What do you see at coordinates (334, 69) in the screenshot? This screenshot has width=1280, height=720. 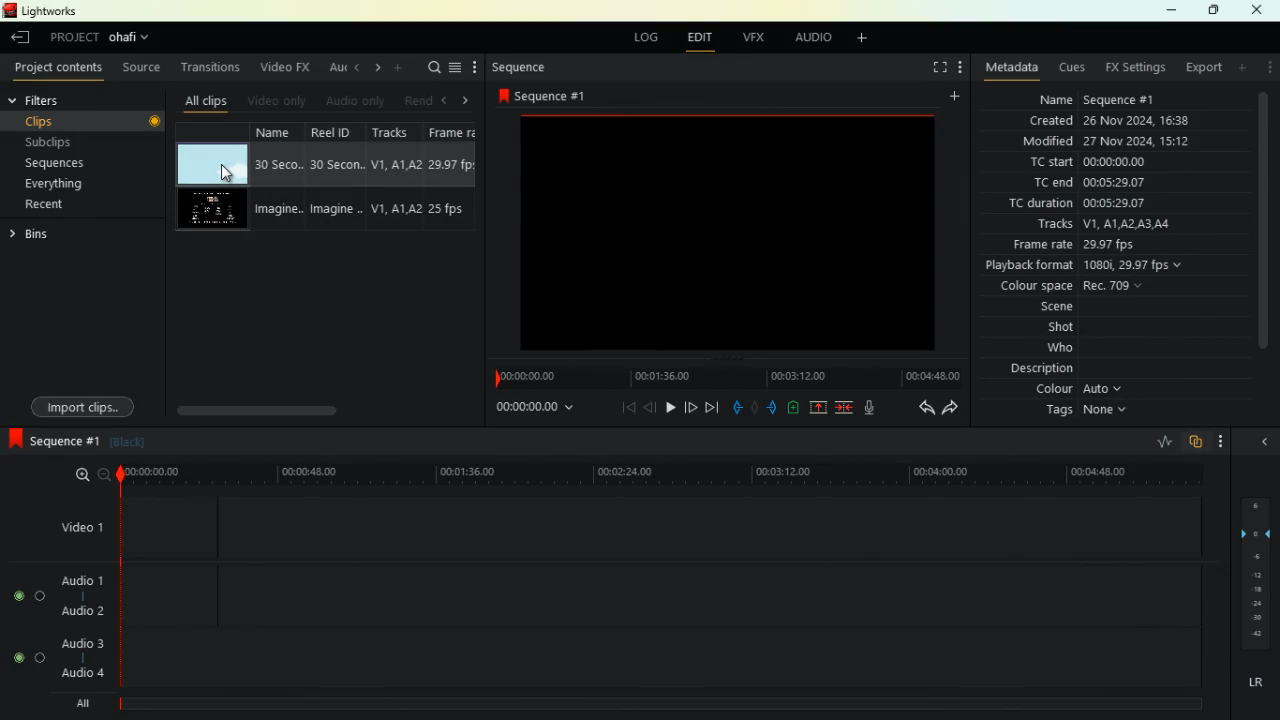 I see `au` at bounding box center [334, 69].